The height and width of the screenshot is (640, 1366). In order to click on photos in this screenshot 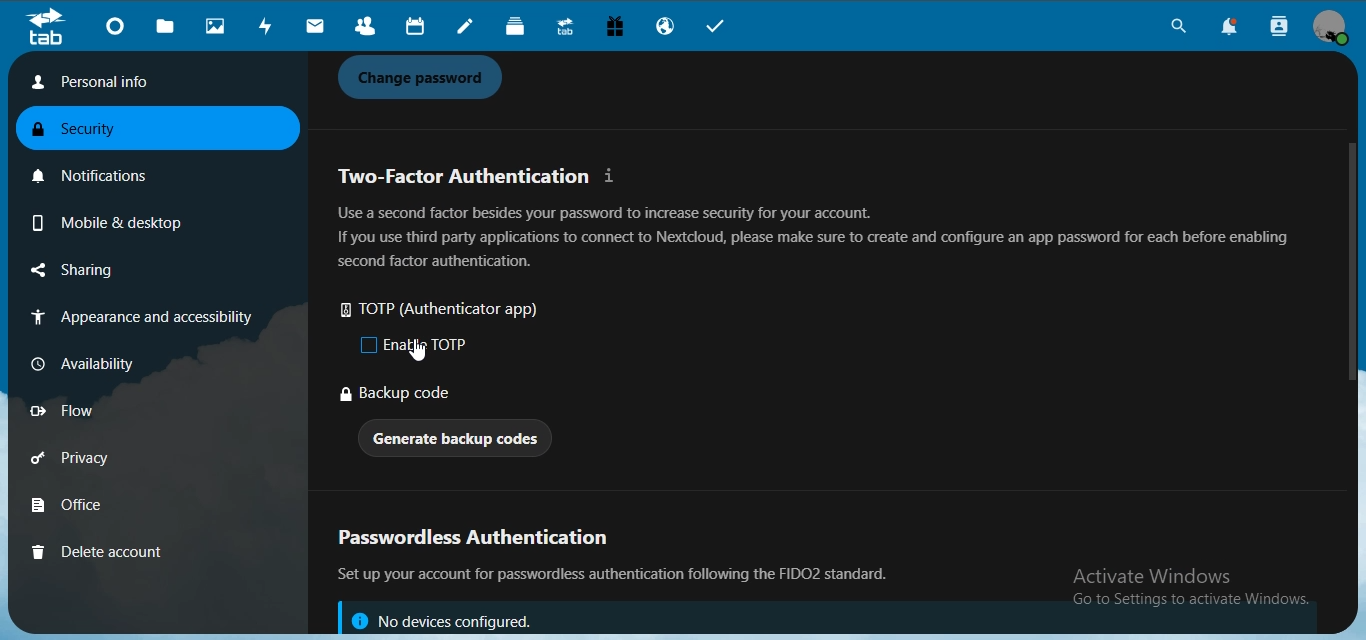, I will do `click(218, 27)`.